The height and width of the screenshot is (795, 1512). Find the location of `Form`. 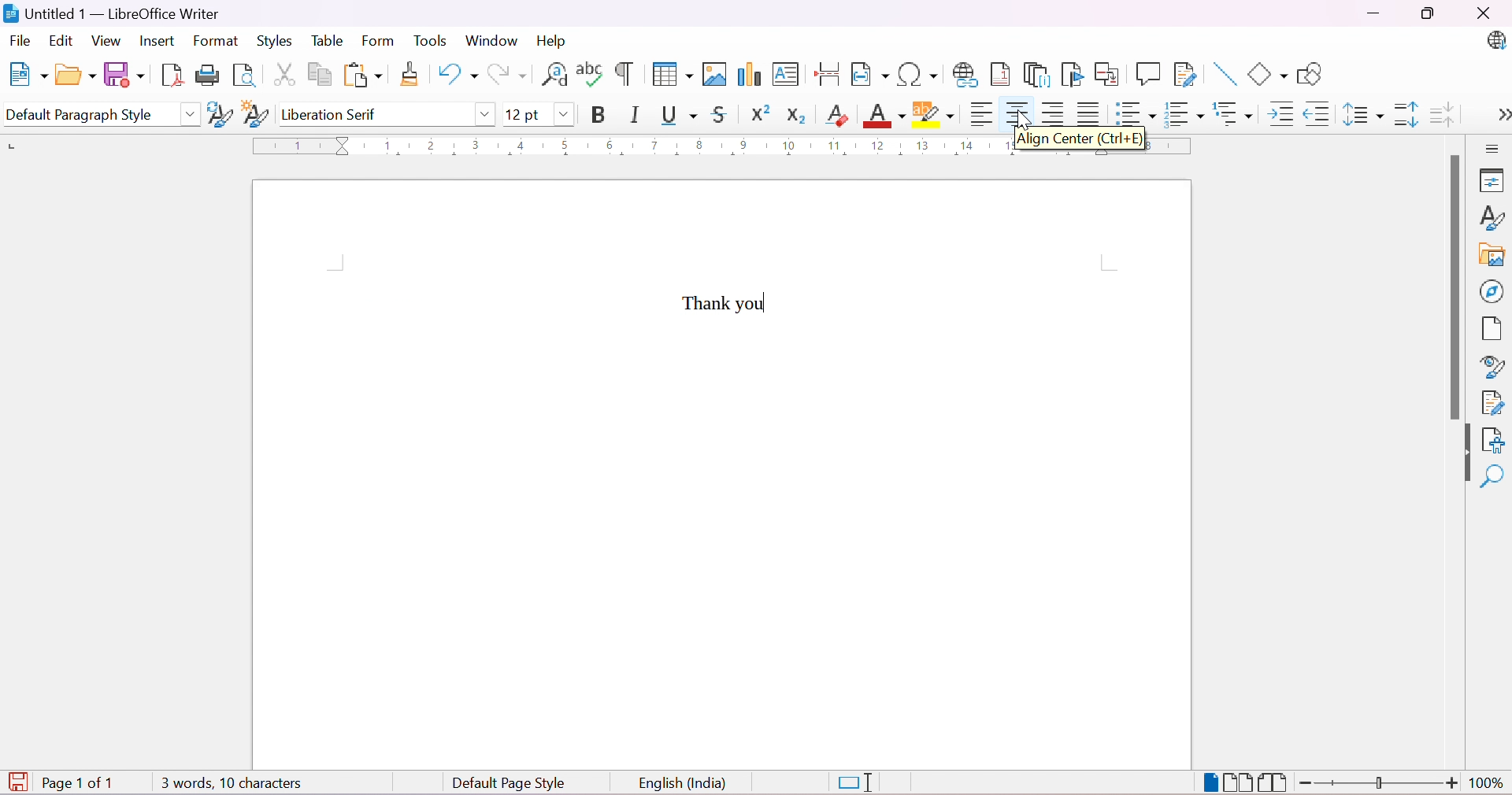

Form is located at coordinates (377, 42).